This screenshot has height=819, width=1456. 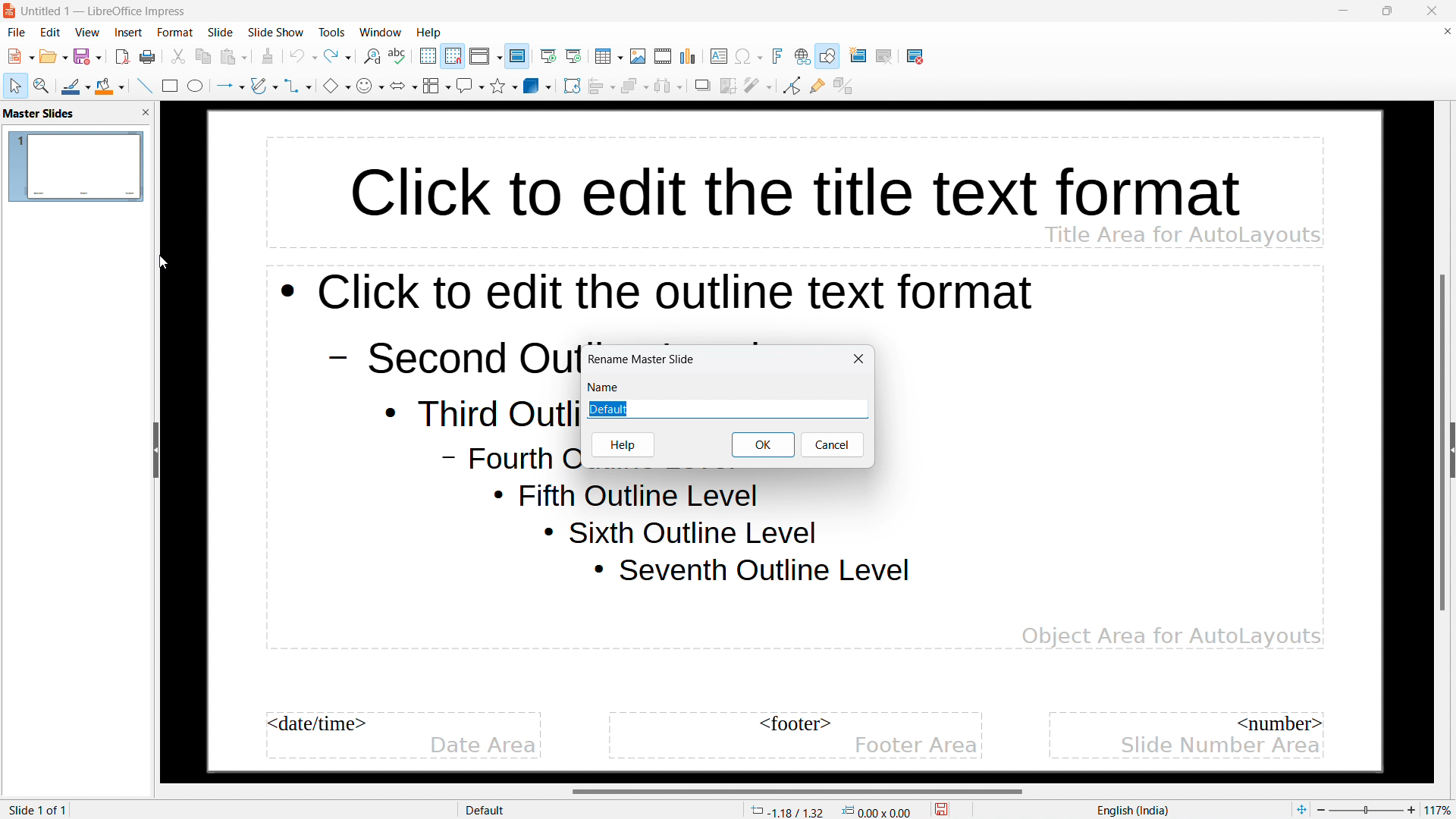 What do you see at coordinates (748, 56) in the screenshot?
I see `insert special character` at bounding box center [748, 56].